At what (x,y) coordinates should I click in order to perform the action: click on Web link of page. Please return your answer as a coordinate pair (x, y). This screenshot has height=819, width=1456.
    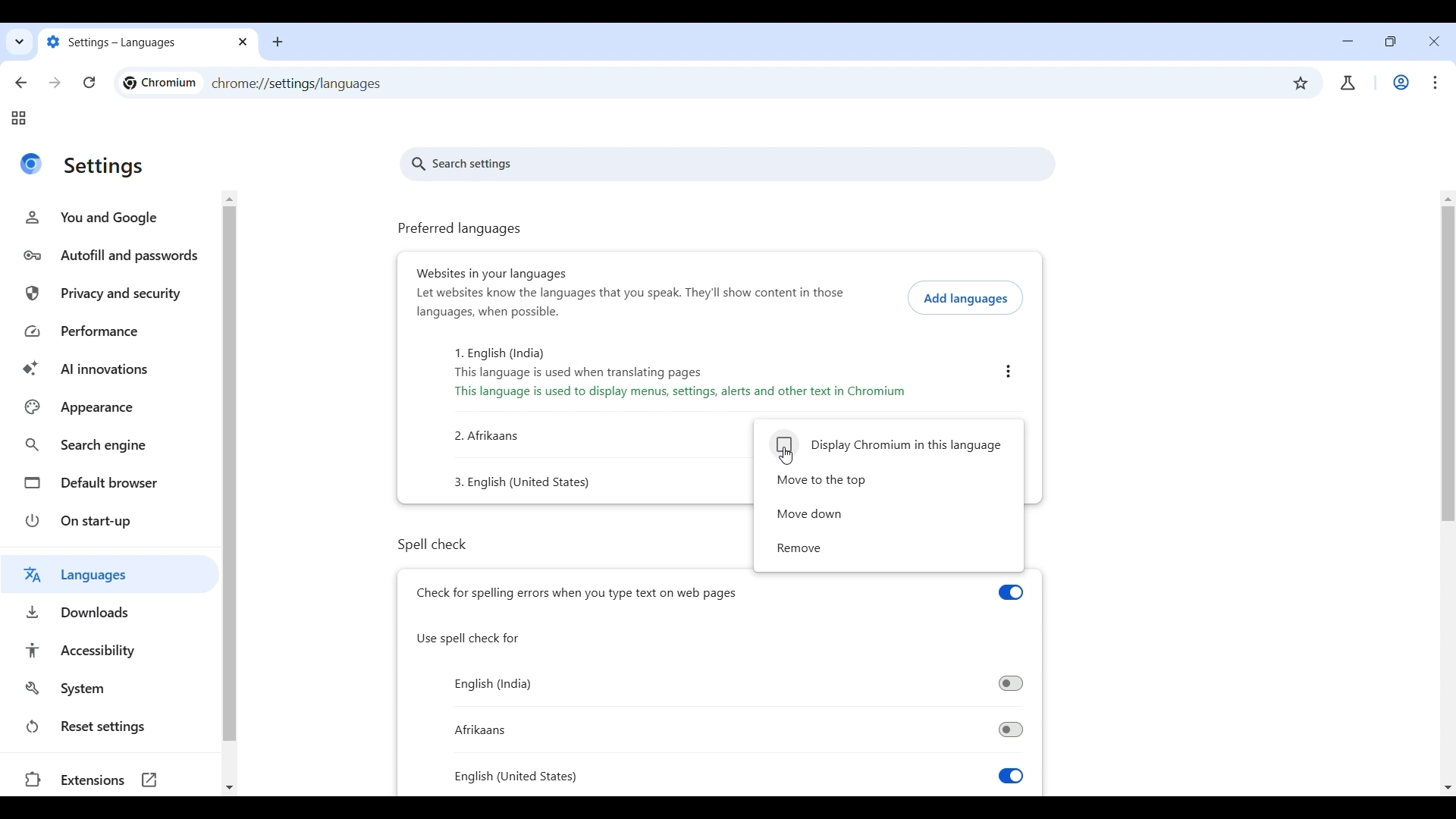
    Looking at the image, I should click on (297, 84).